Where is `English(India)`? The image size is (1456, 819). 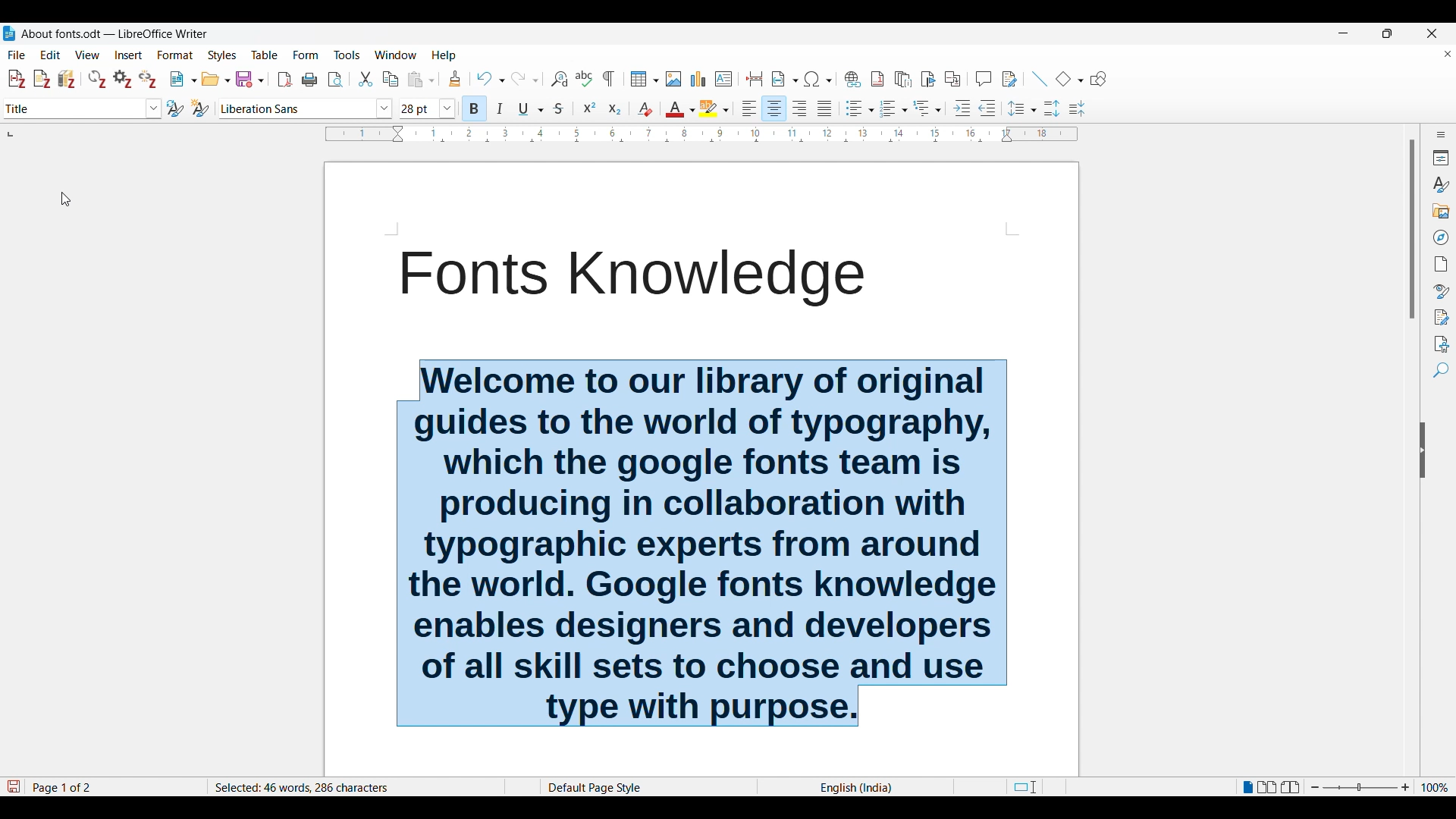
English(India) is located at coordinates (858, 789).